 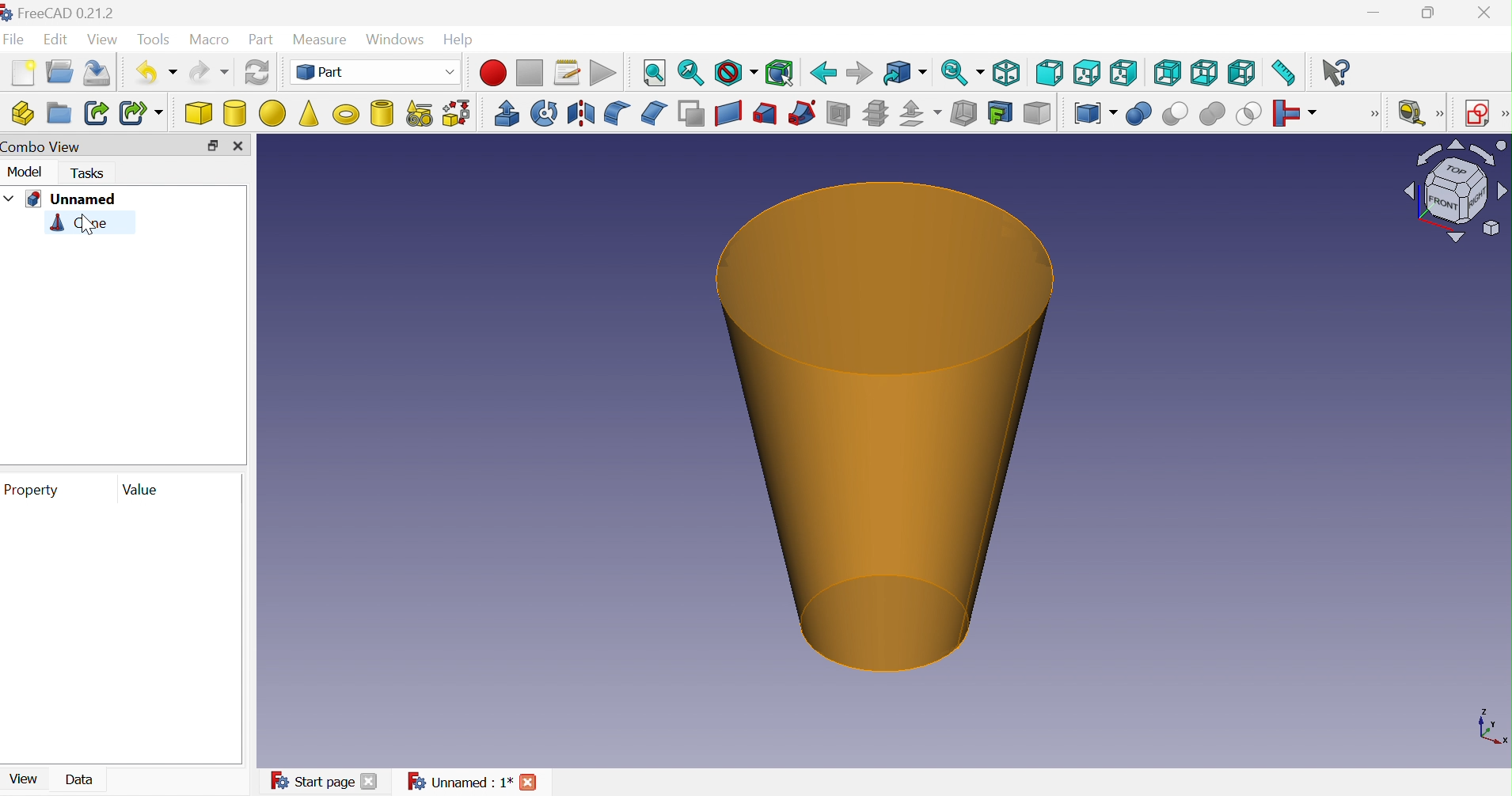 What do you see at coordinates (1005, 74) in the screenshot?
I see `Isometric` at bounding box center [1005, 74].